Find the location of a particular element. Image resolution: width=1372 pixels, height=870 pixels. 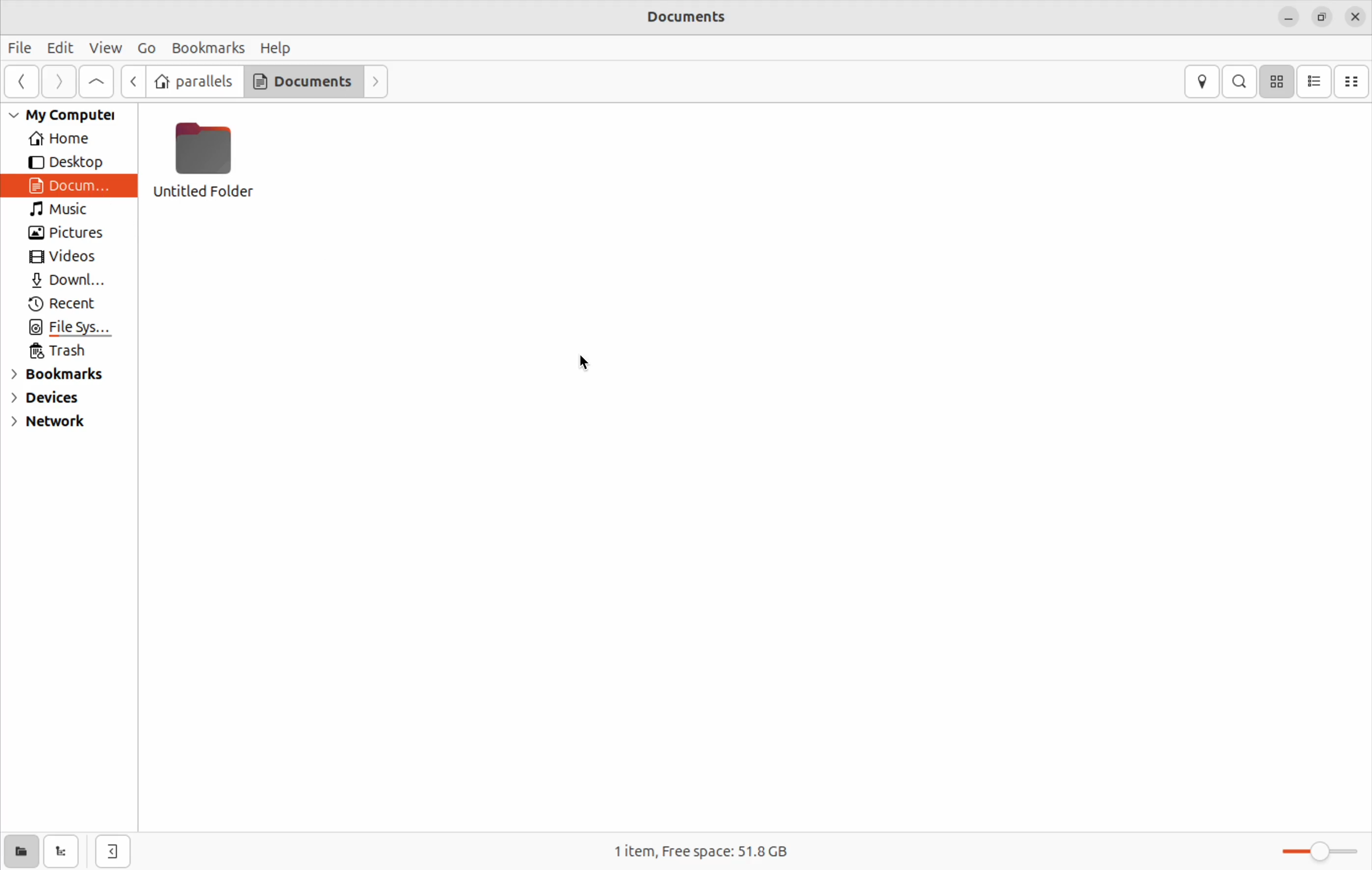

search bar is located at coordinates (1241, 80).